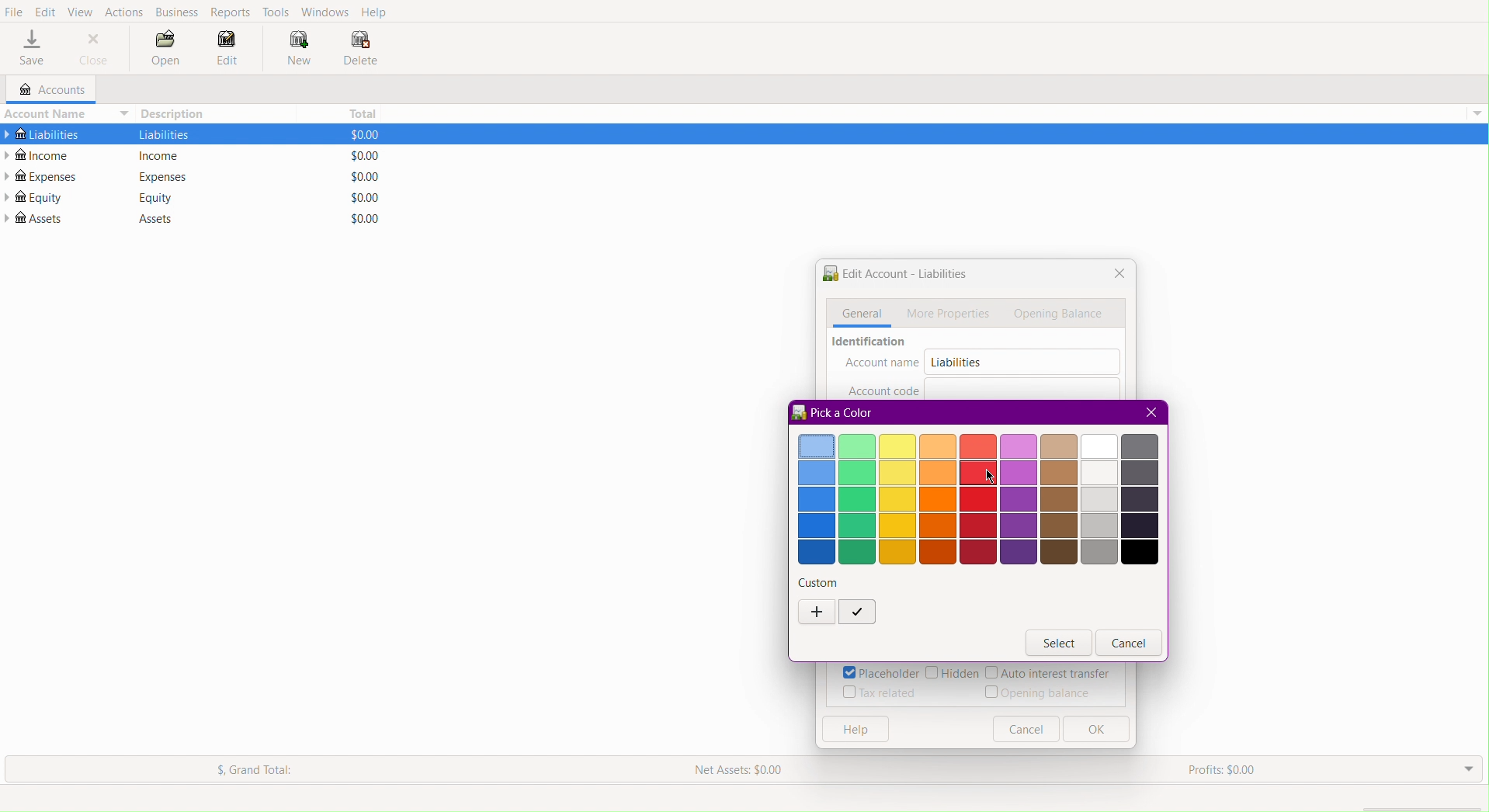  What do you see at coordinates (1026, 729) in the screenshot?
I see `` at bounding box center [1026, 729].